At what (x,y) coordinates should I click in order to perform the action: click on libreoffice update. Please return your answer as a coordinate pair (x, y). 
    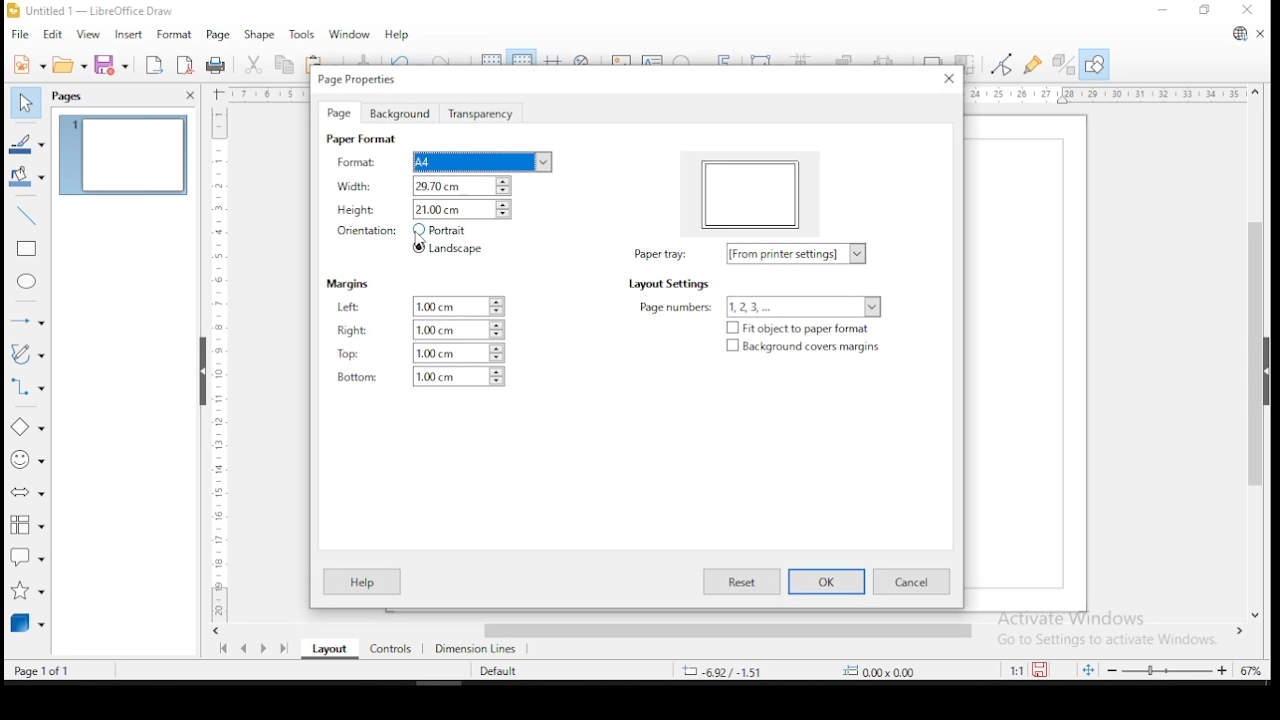
    Looking at the image, I should click on (1237, 35).